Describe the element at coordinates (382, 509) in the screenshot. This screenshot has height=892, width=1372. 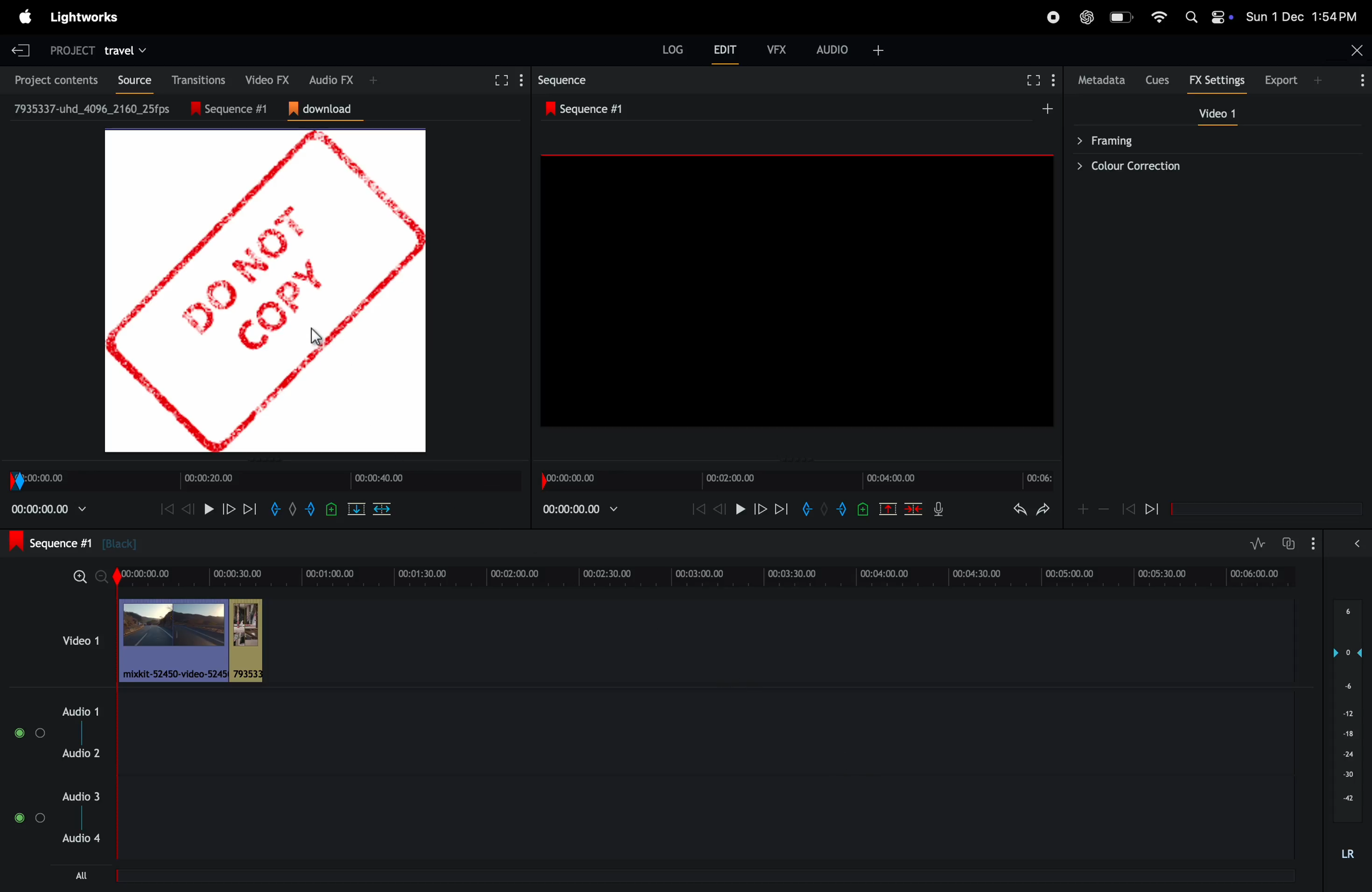
I see `delete` at that location.